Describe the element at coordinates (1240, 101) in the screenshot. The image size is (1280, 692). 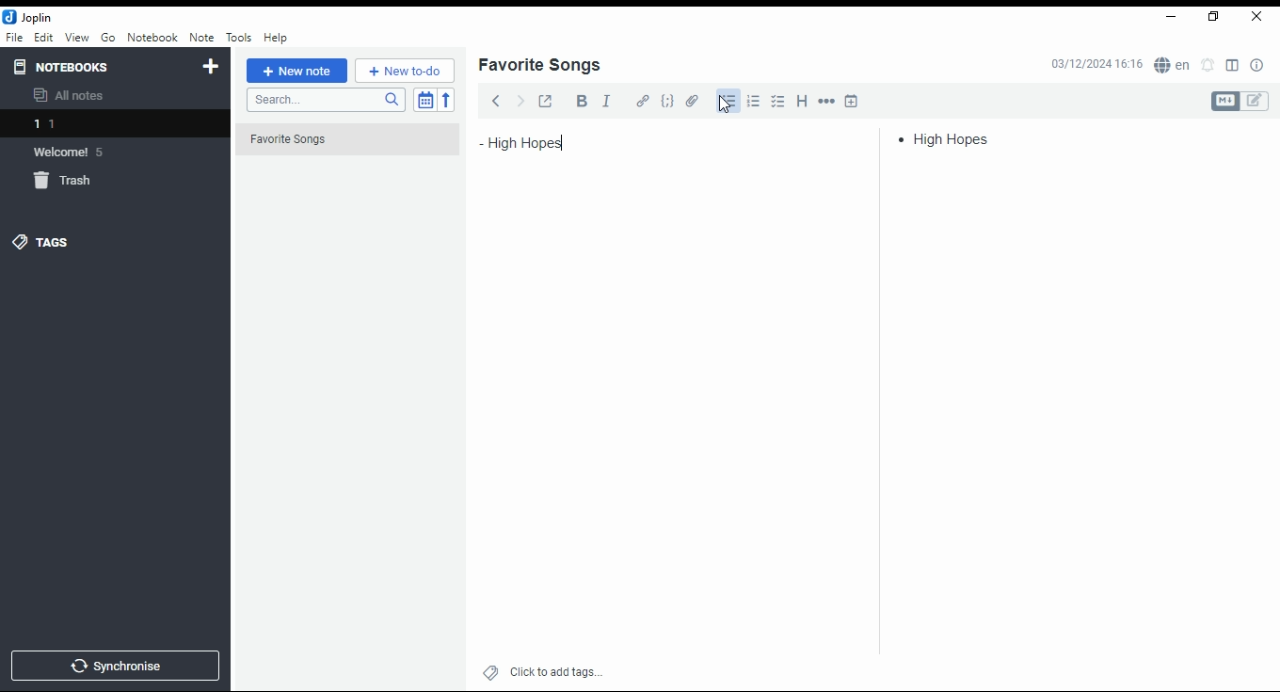
I see `toggle editors` at that location.